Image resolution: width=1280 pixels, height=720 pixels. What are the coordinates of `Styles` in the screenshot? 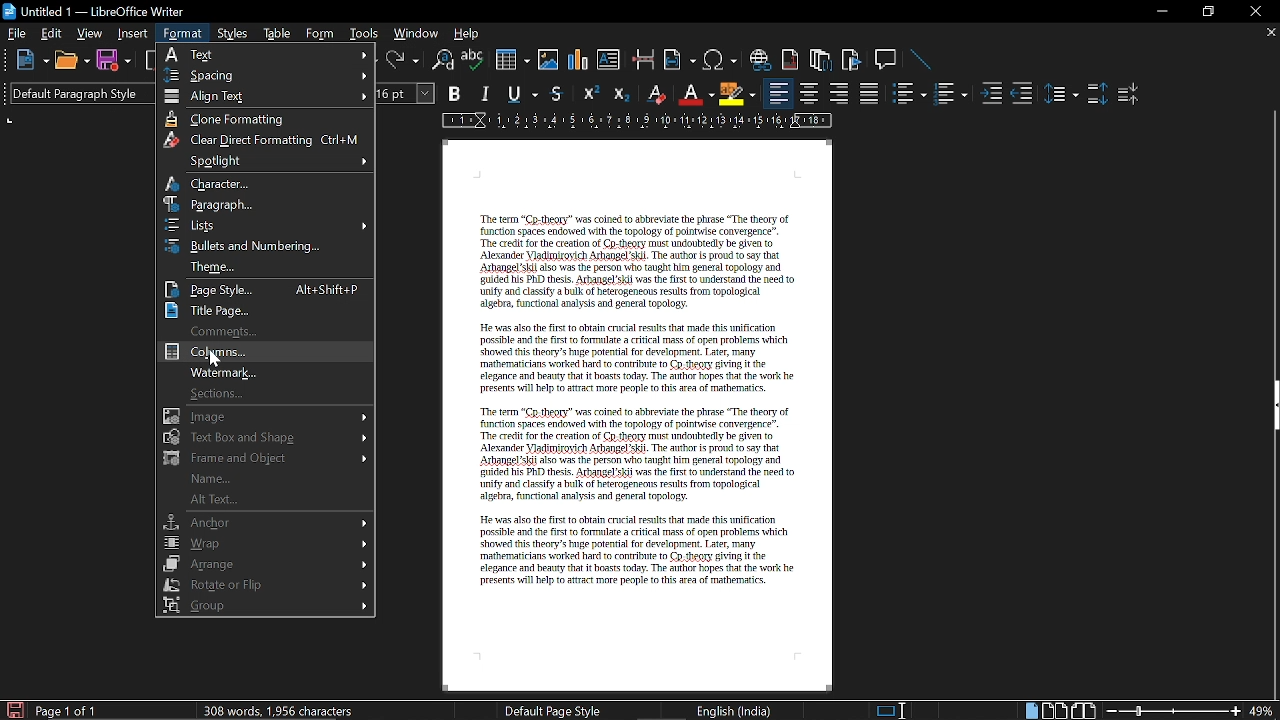 It's located at (234, 34).